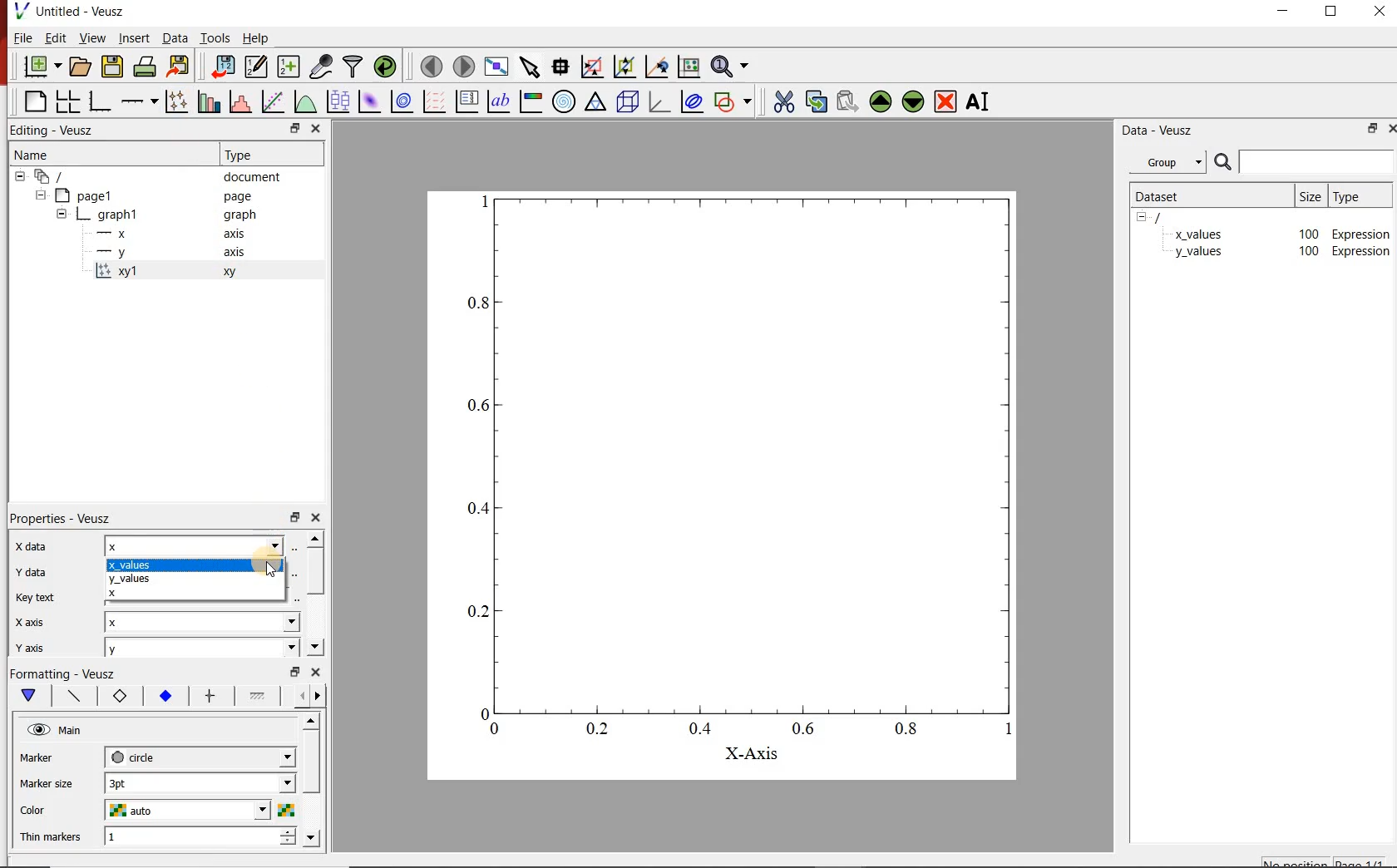 This screenshot has height=868, width=1397. What do you see at coordinates (37, 649) in the screenshot?
I see `| Y ais` at bounding box center [37, 649].